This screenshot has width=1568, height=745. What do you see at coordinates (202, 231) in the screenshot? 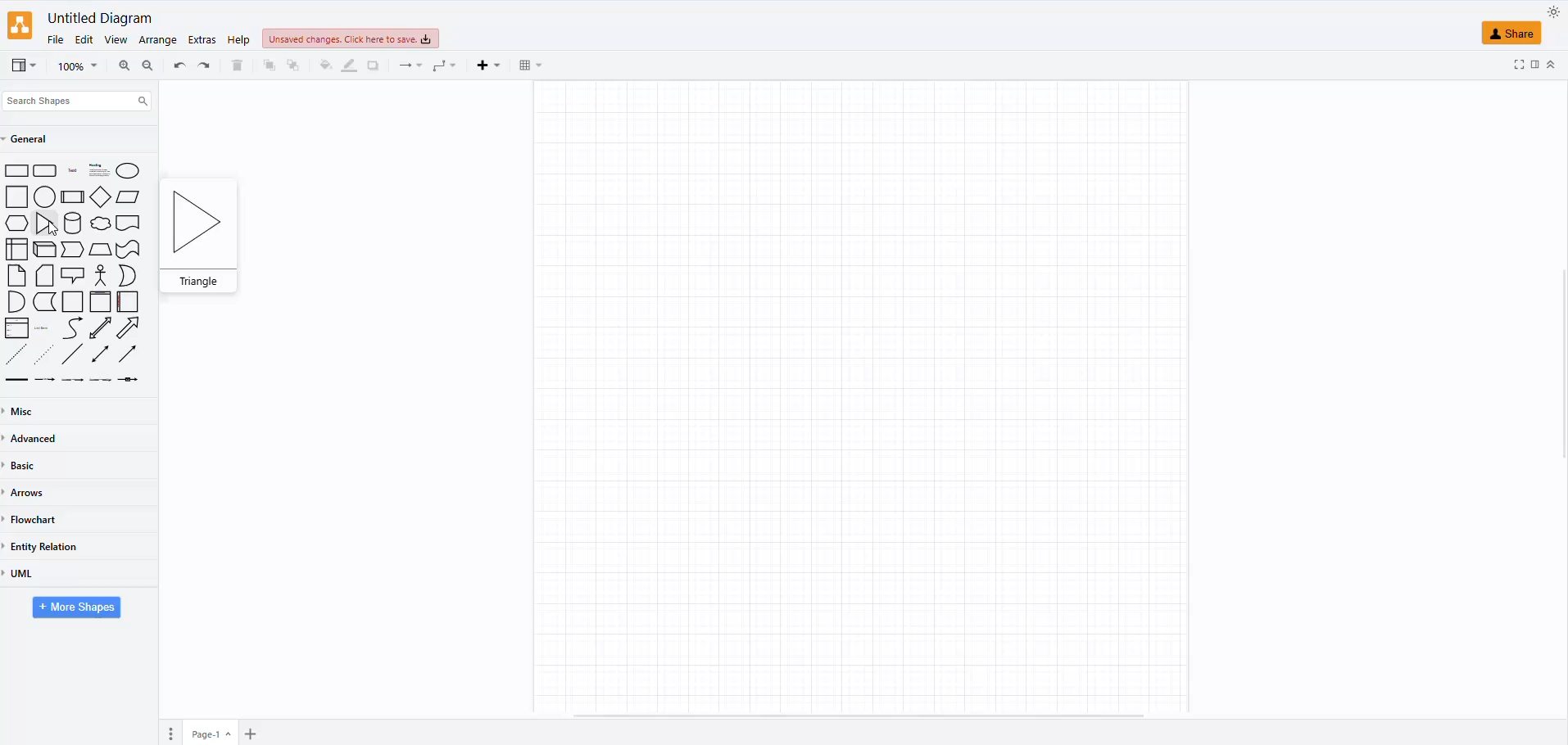
I see `triangle` at bounding box center [202, 231].